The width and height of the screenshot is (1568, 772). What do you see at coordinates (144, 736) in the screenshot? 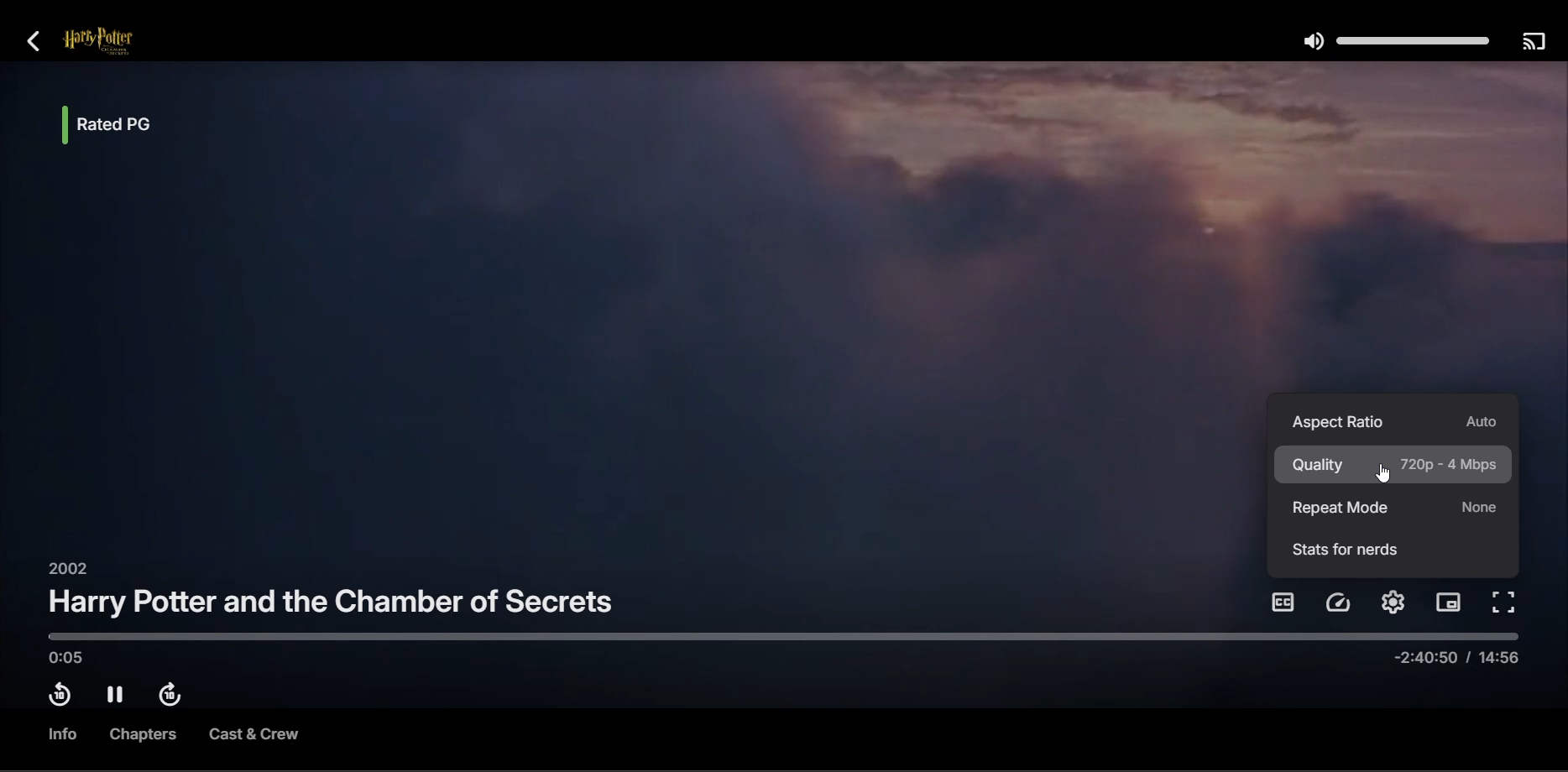
I see `Chapters` at bounding box center [144, 736].